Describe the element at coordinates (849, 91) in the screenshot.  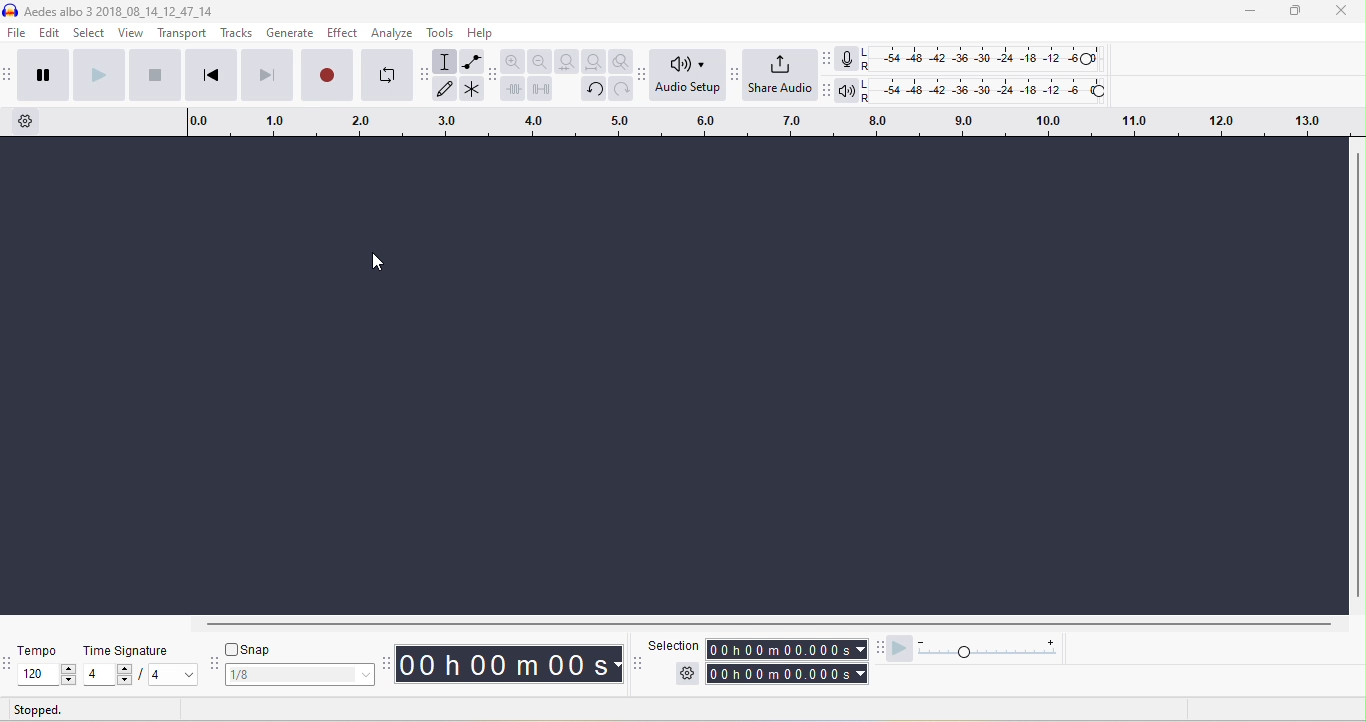
I see `playback meter` at that location.